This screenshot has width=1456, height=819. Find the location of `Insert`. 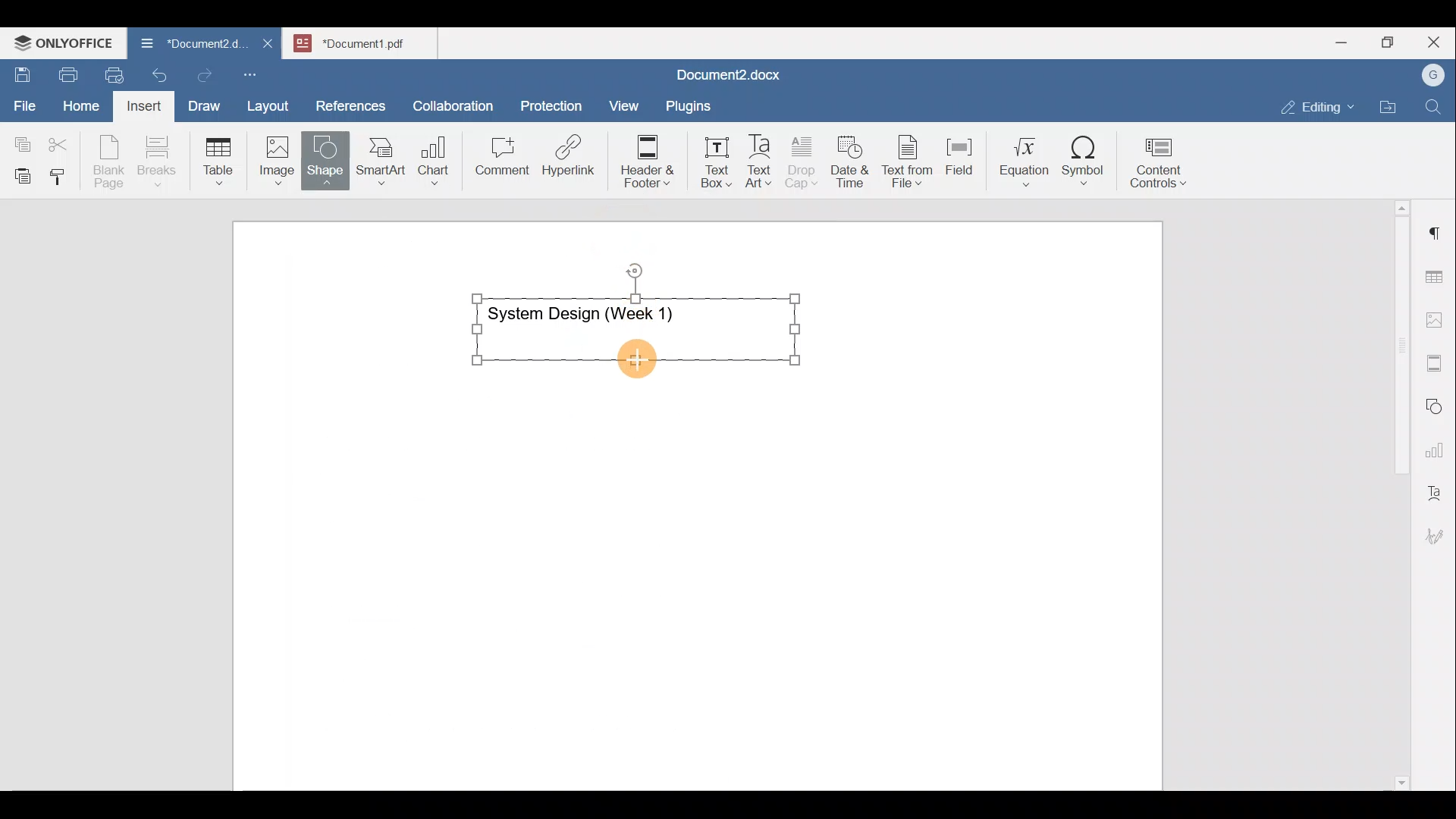

Insert is located at coordinates (140, 103).